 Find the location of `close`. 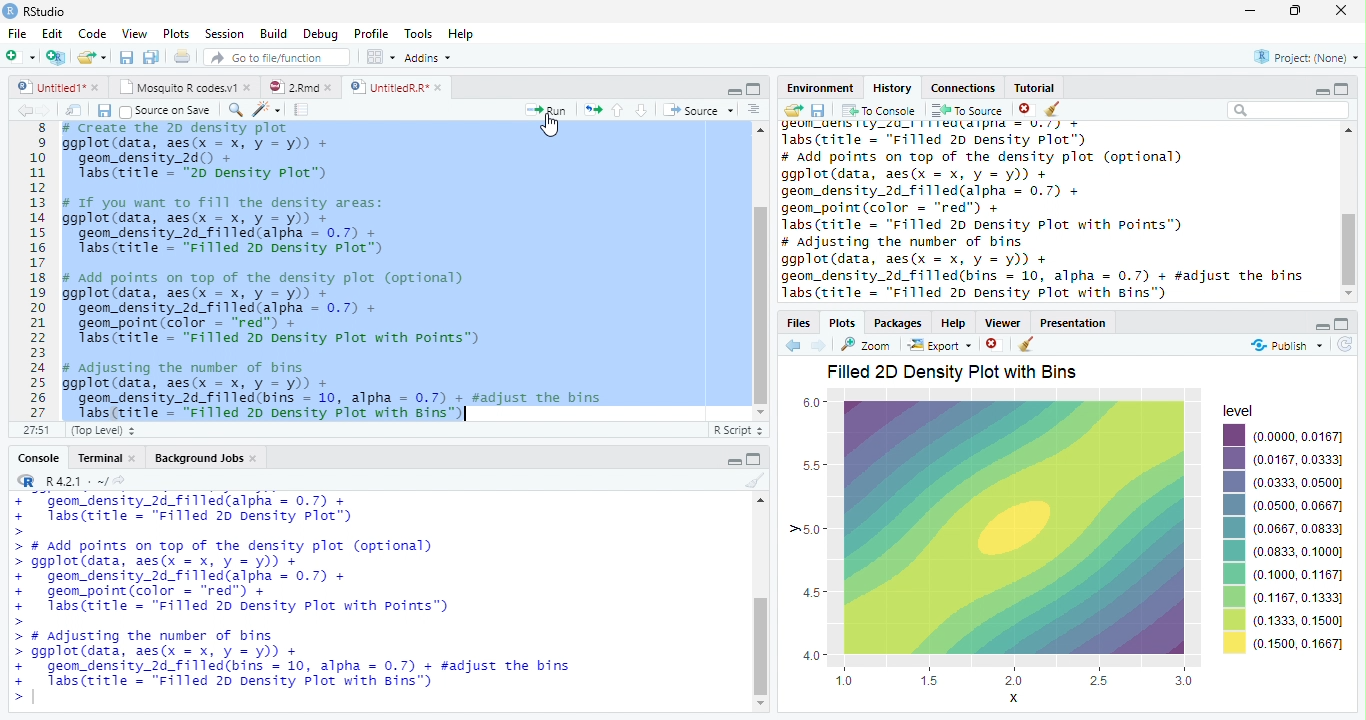

close is located at coordinates (993, 344).